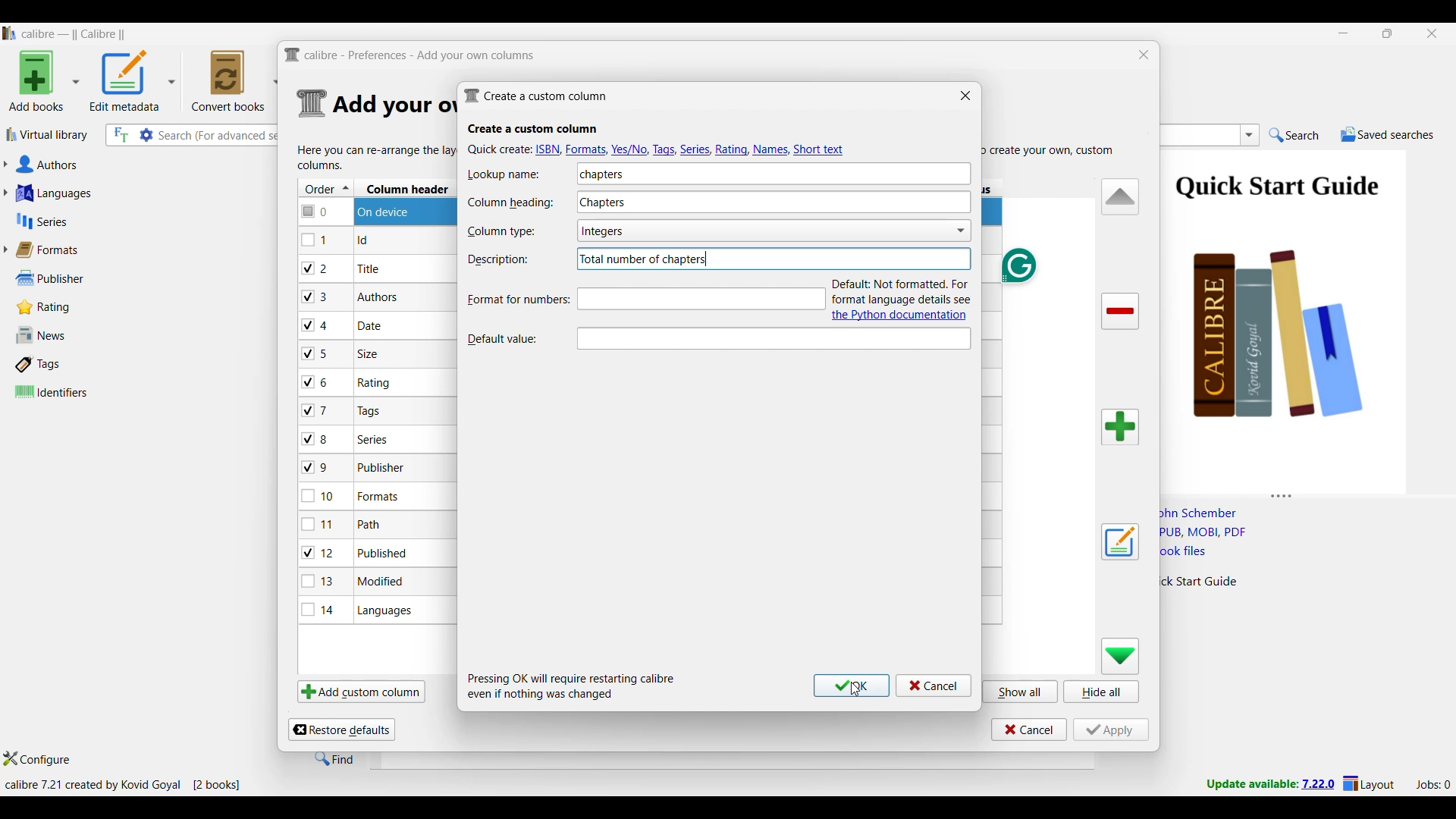 This screenshot has width=1456, height=819. I want to click on Restore defaults, so click(341, 730).